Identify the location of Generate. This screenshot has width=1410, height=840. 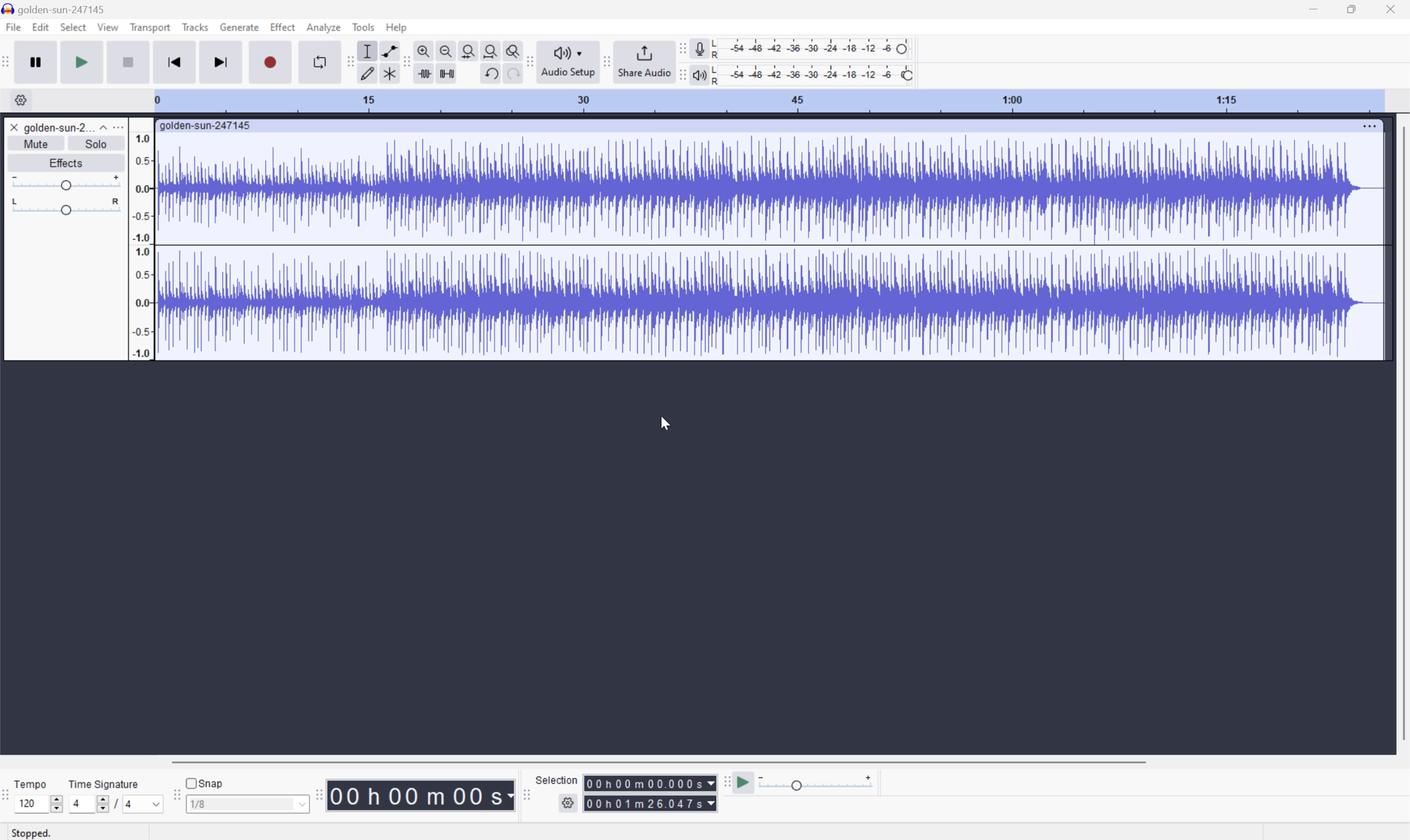
(241, 28).